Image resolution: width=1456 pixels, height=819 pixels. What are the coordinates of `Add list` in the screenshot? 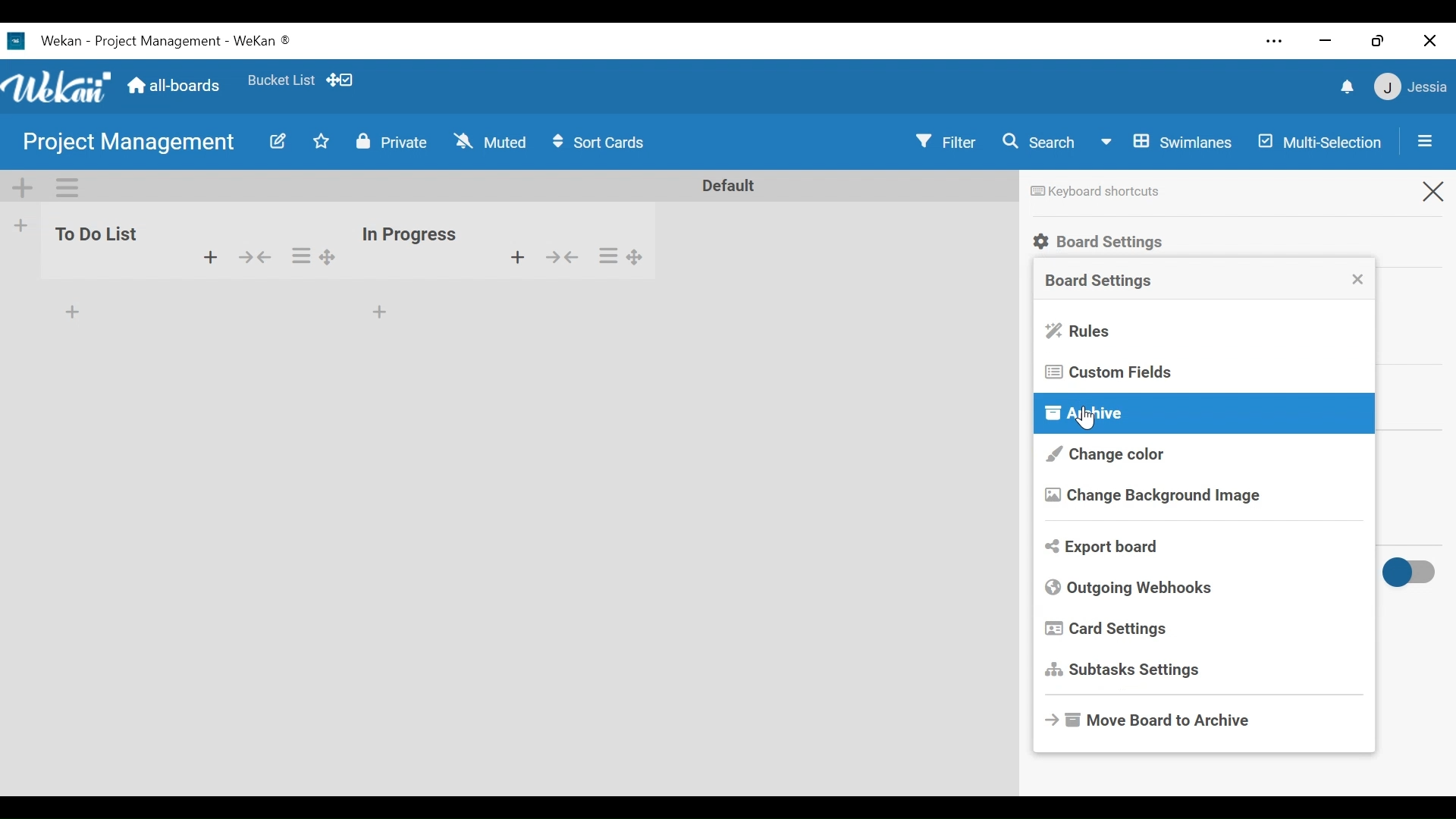 It's located at (22, 224).